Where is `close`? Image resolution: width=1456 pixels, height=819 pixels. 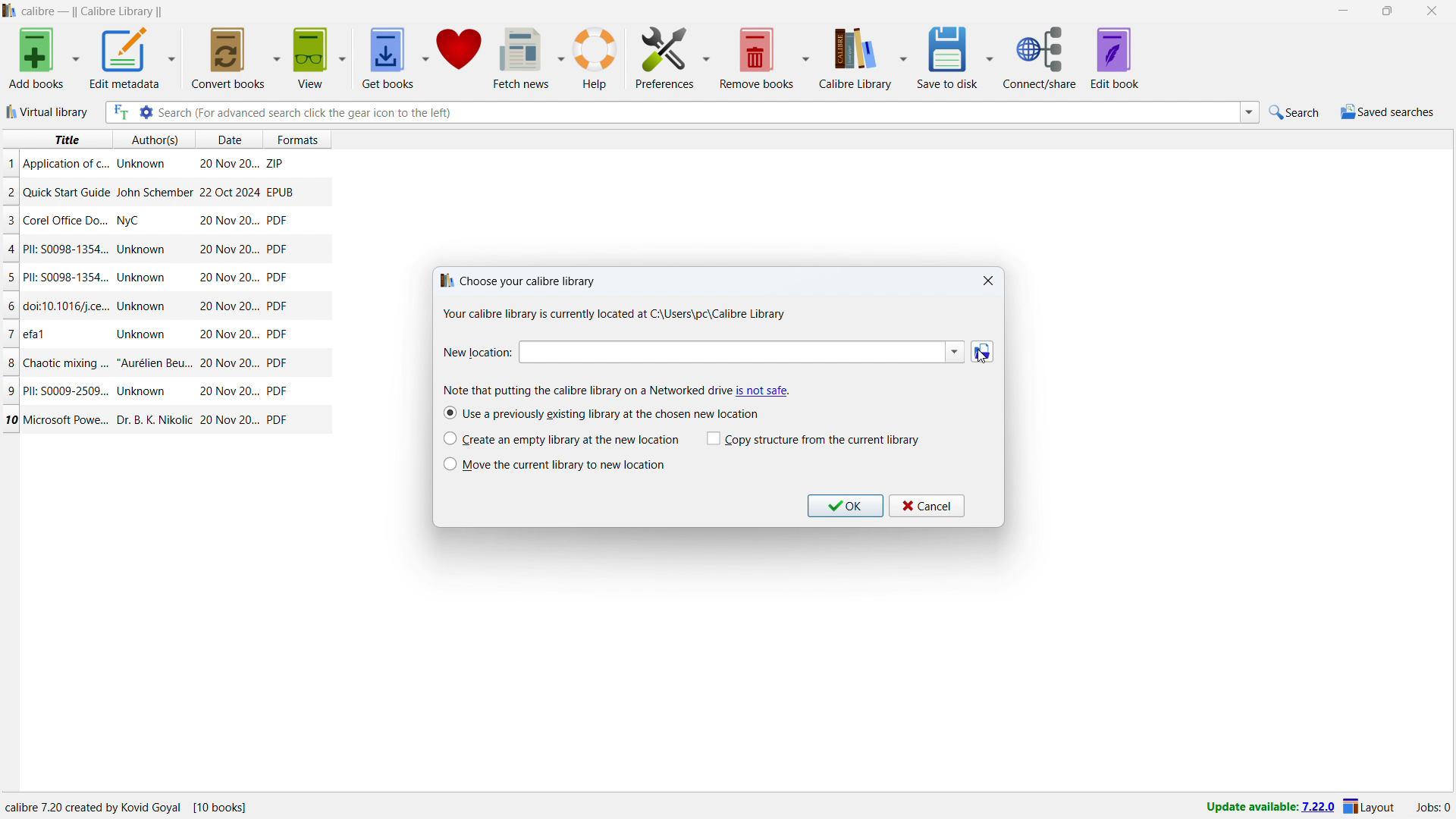 close is located at coordinates (1432, 11).